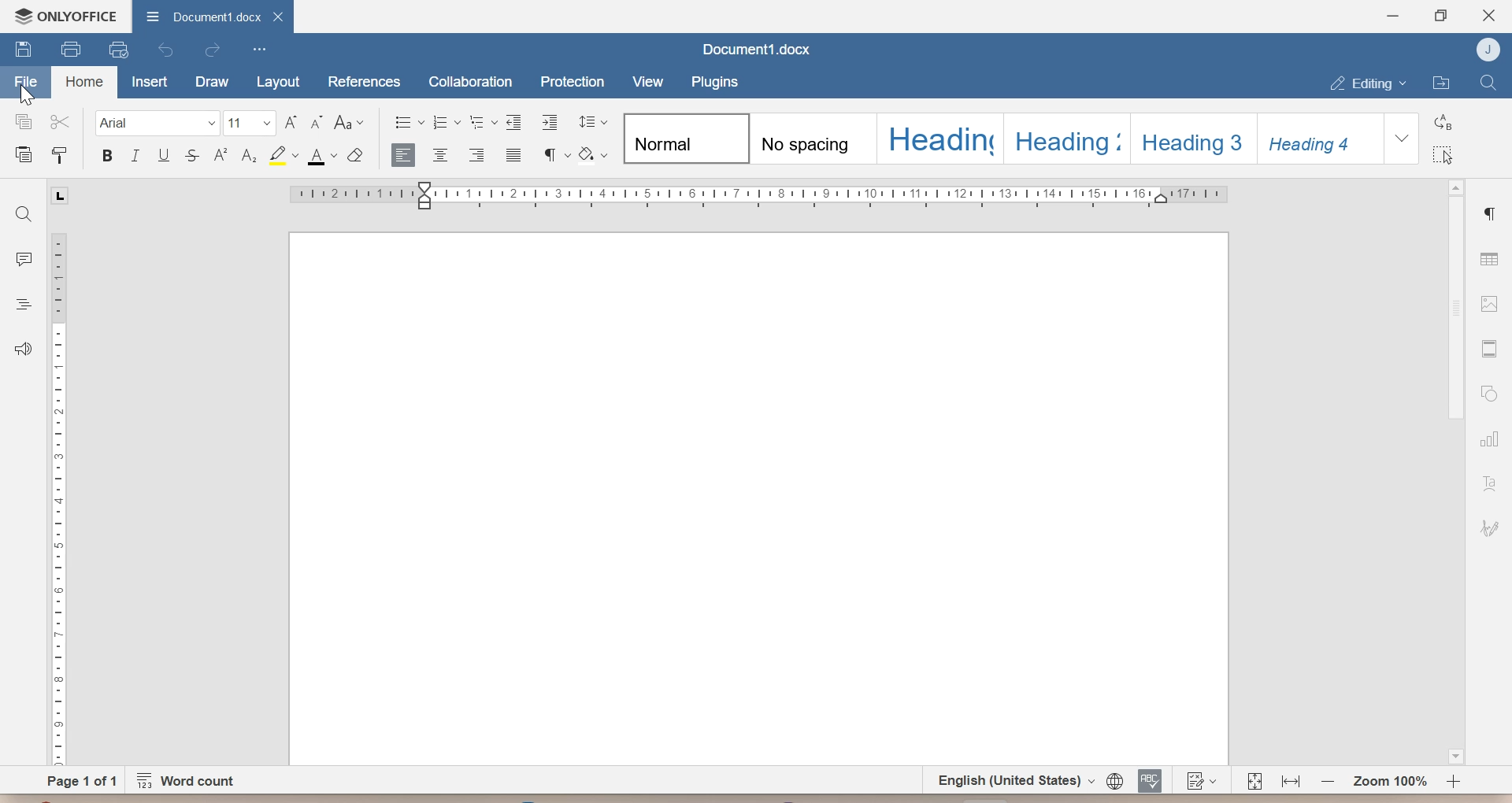 Image resolution: width=1512 pixels, height=803 pixels. I want to click on Copy style, so click(61, 152).